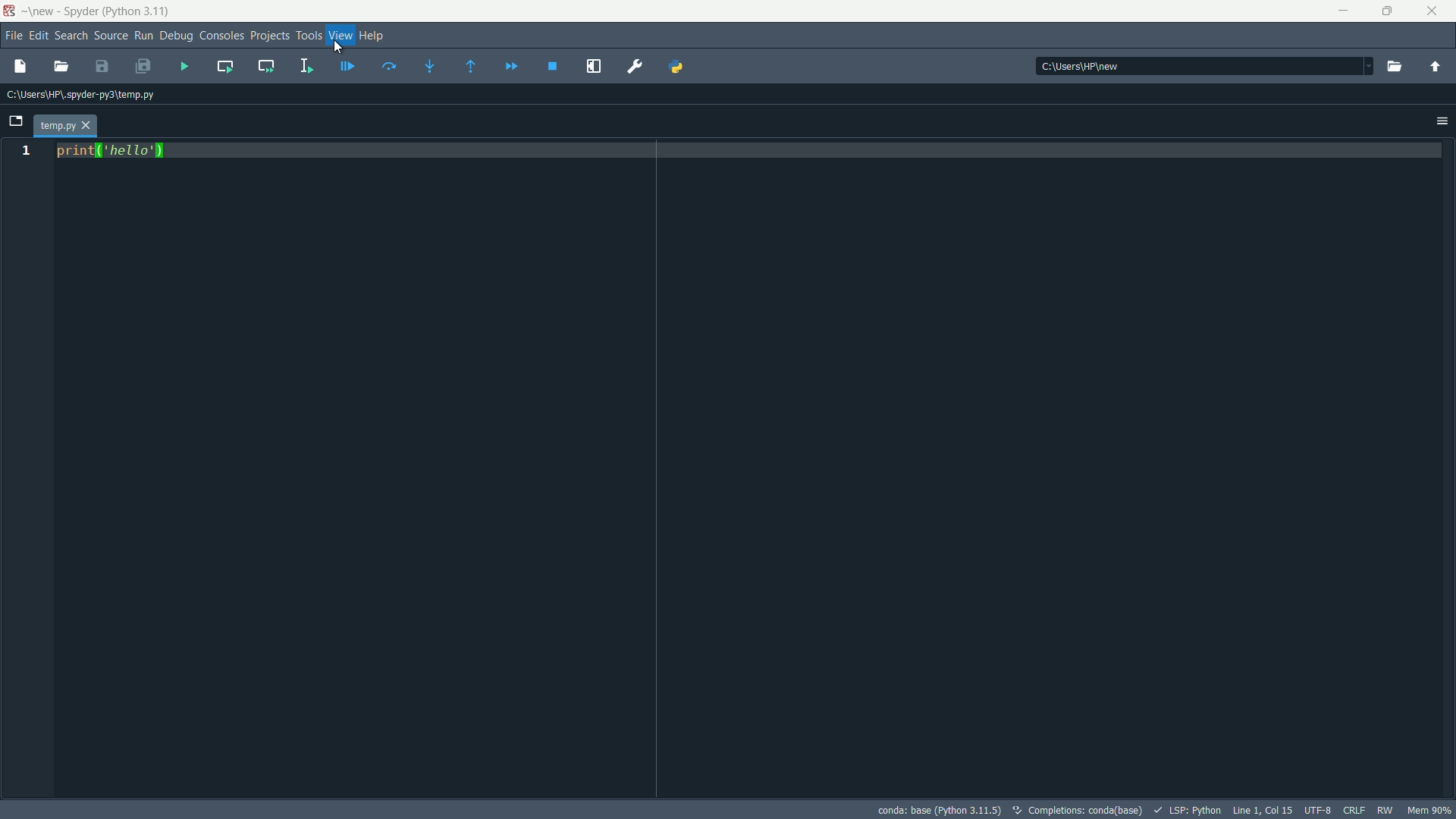 Image resolution: width=1456 pixels, height=819 pixels. I want to click on save all files, so click(144, 65).